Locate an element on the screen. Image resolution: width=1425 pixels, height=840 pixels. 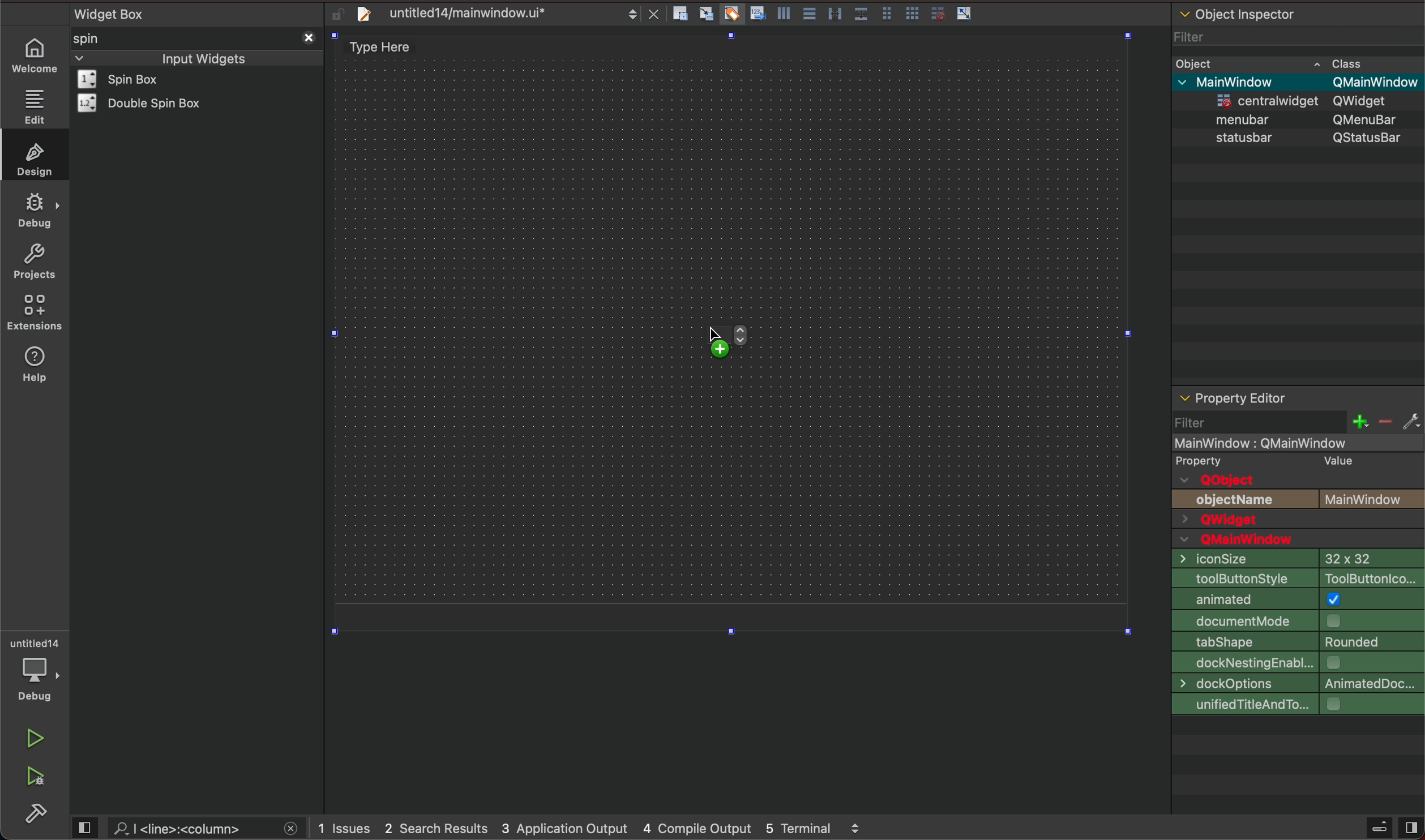
object is located at coordinates (1246, 137).